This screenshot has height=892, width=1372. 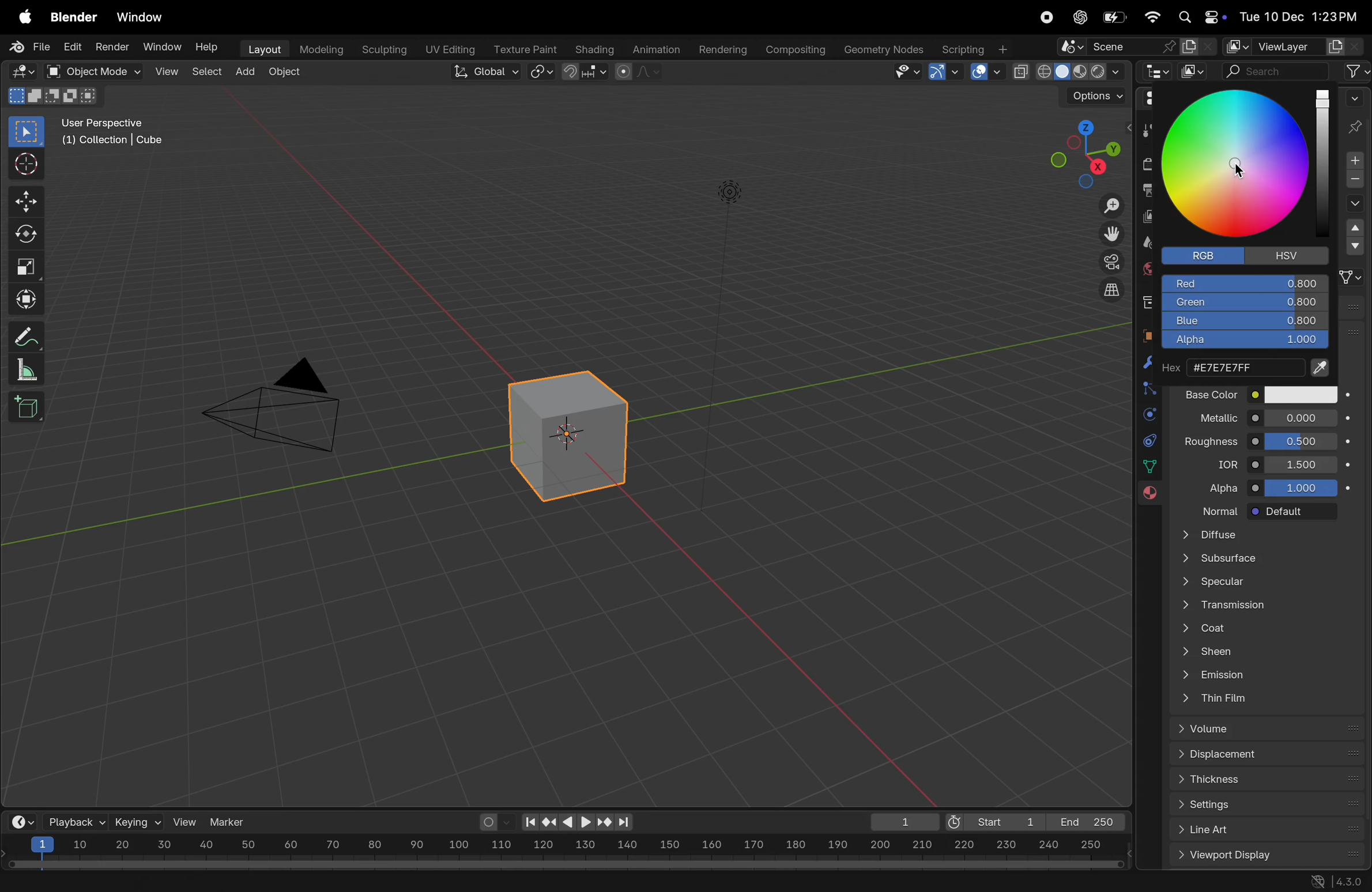 I want to click on view layer, so click(x=1284, y=44).